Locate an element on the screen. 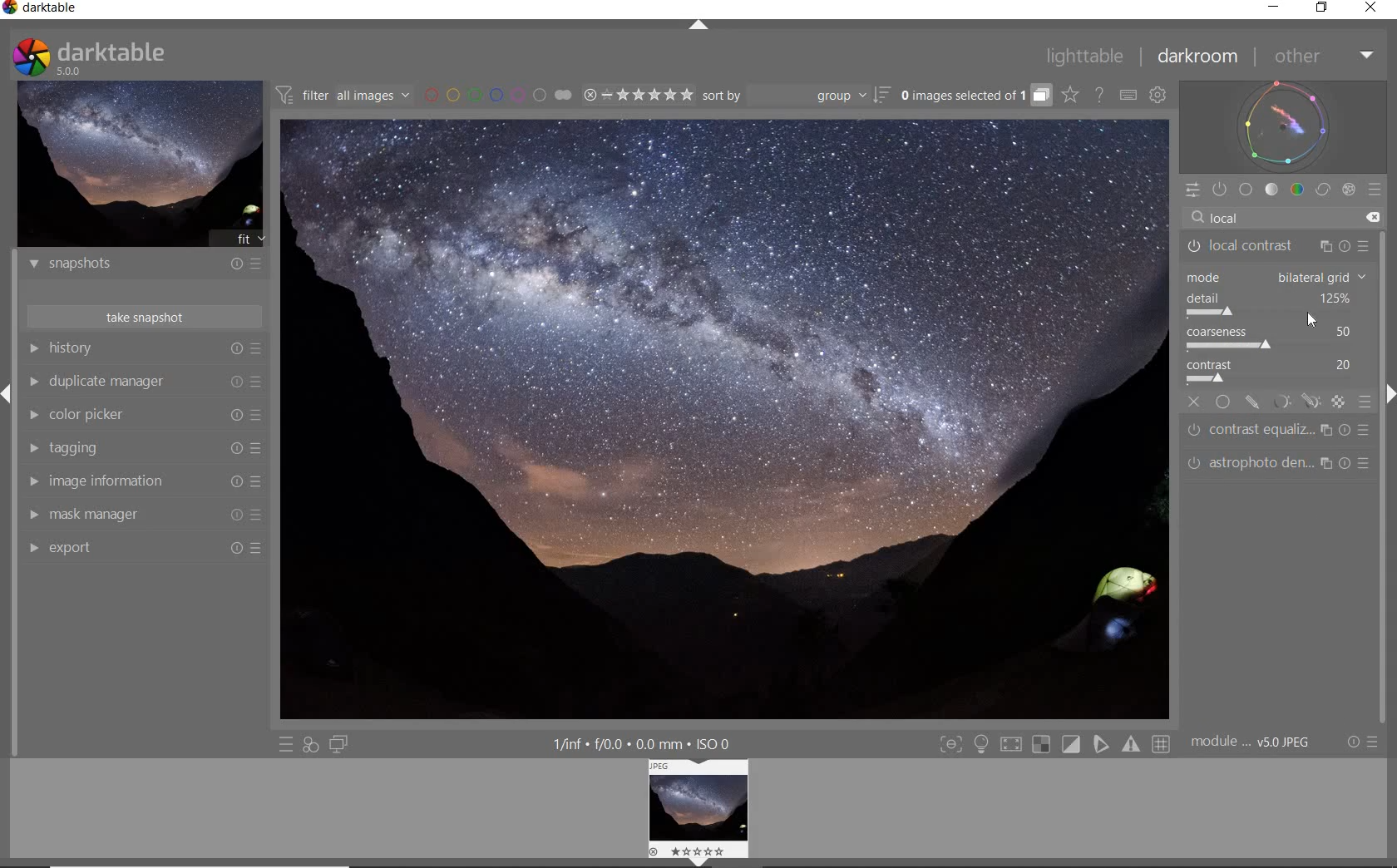 The image size is (1397, 868). IMAGE INFORMATION is located at coordinates (35, 481).